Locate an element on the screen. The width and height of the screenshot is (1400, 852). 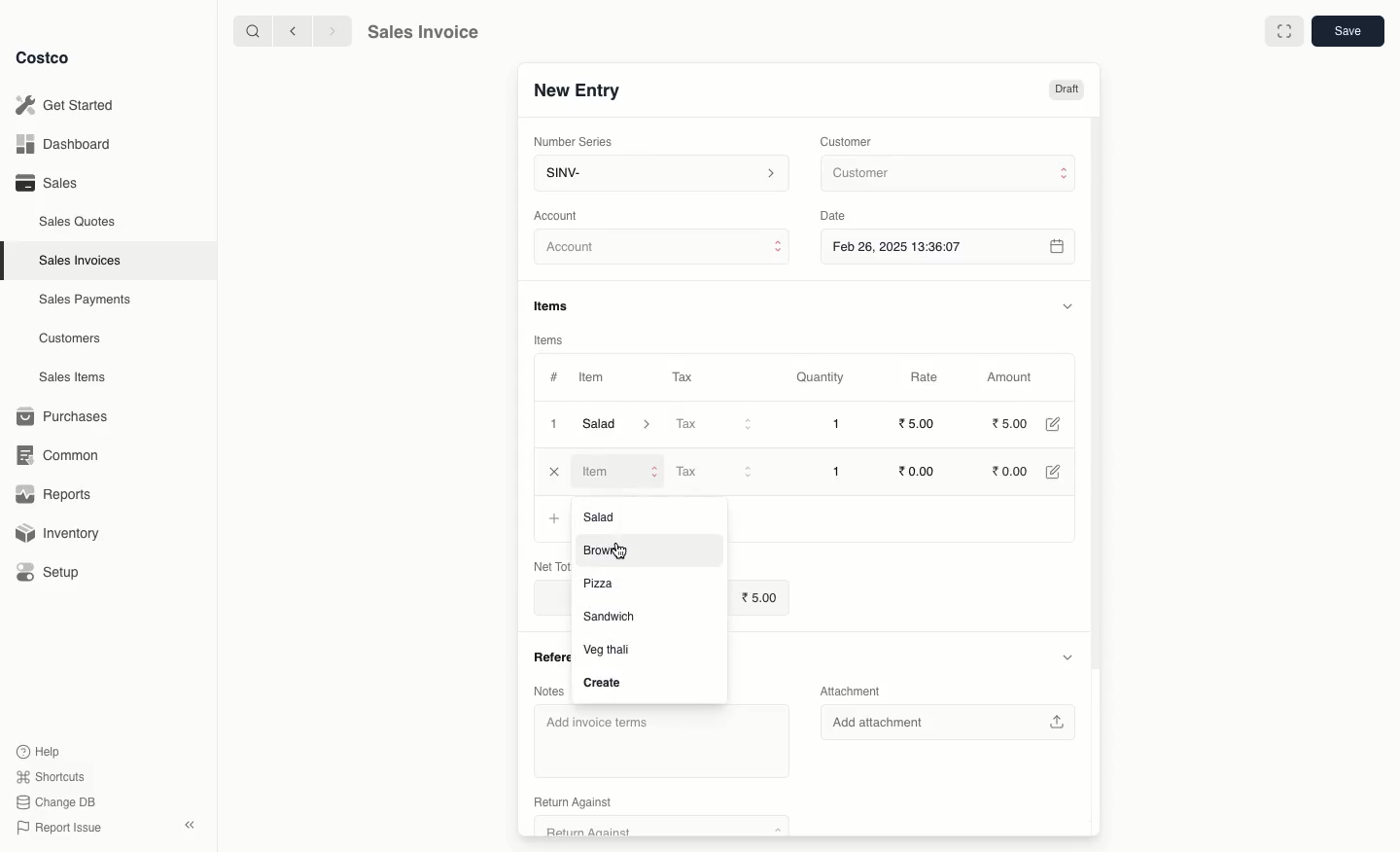
Pizza is located at coordinates (603, 582).